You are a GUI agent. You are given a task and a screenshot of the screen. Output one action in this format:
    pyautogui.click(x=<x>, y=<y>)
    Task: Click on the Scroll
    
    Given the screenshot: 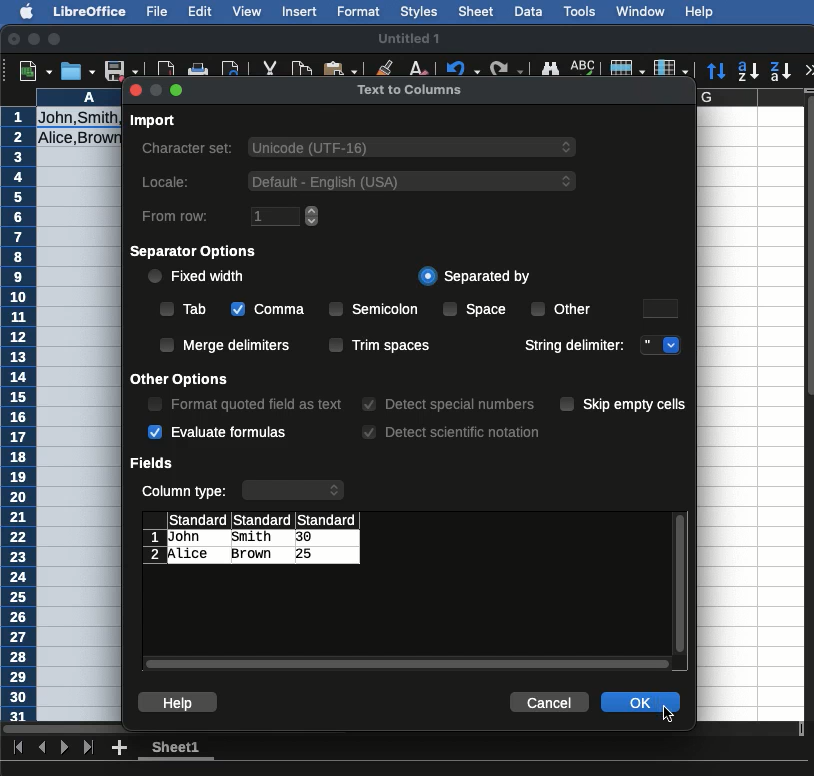 What is the action you would take?
    pyautogui.click(x=809, y=424)
    